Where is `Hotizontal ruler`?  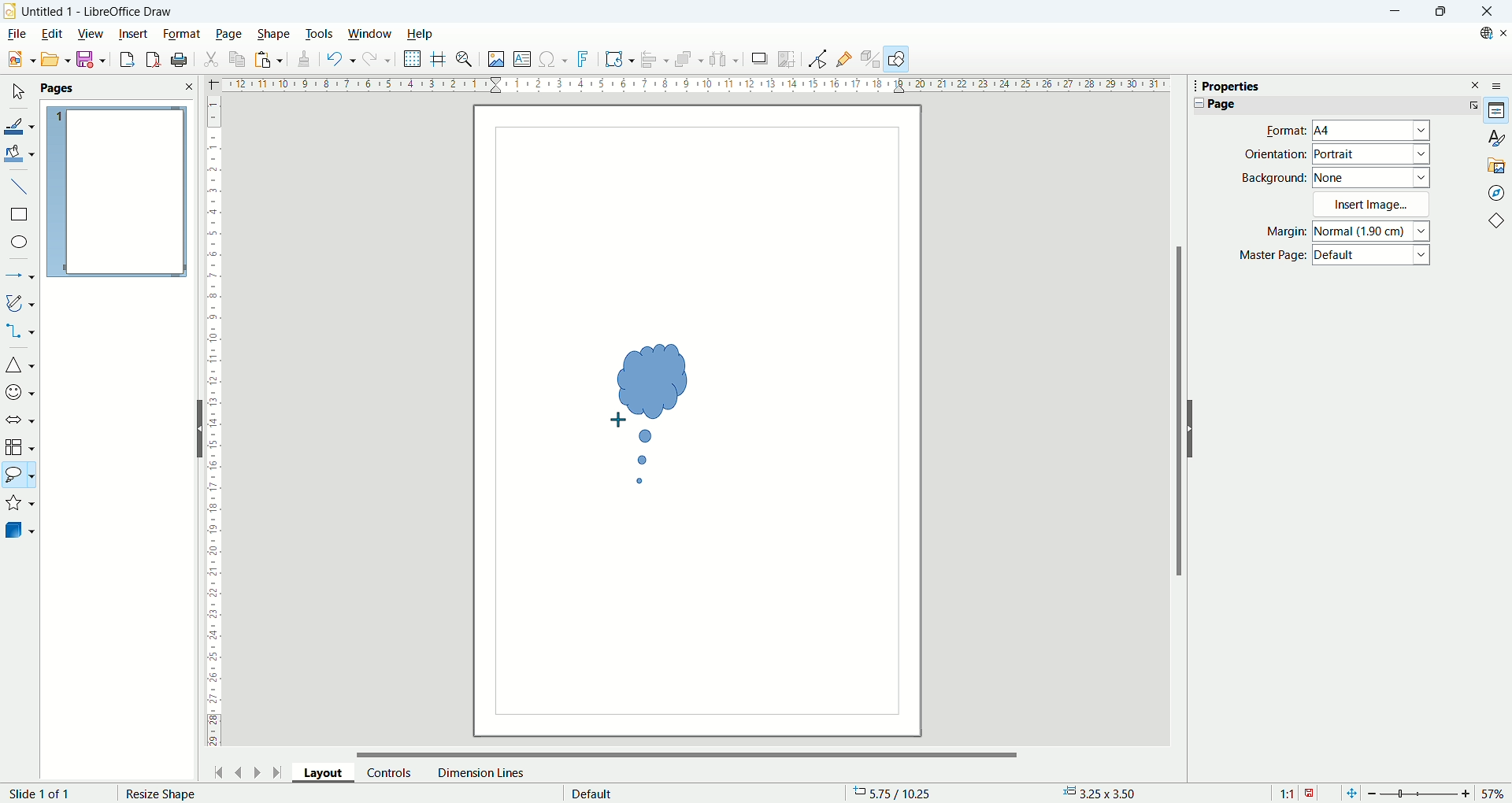
Hotizontal ruler is located at coordinates (695, 87).